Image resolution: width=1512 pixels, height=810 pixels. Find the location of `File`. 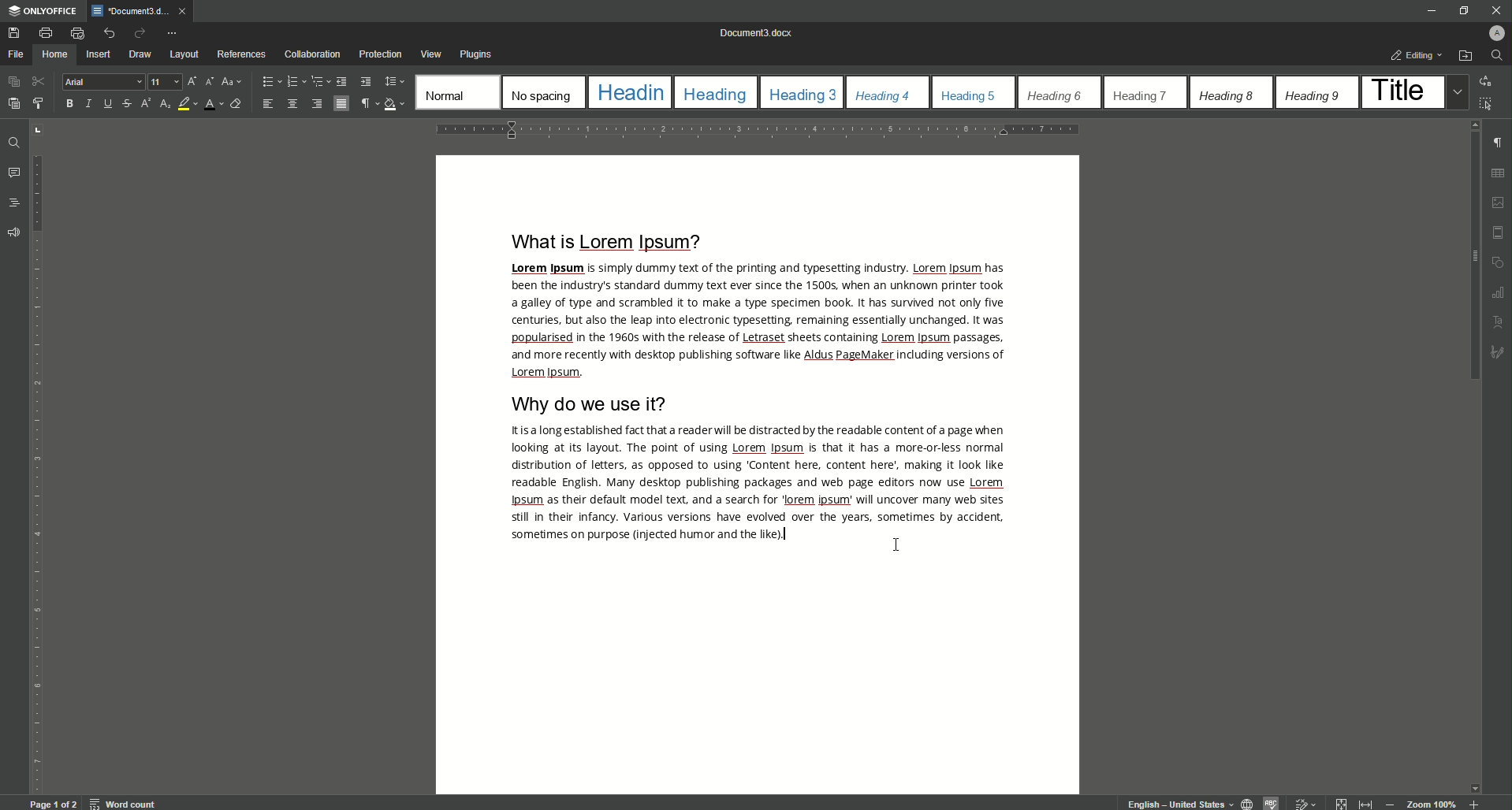

File is located at coordinates (18, 54).